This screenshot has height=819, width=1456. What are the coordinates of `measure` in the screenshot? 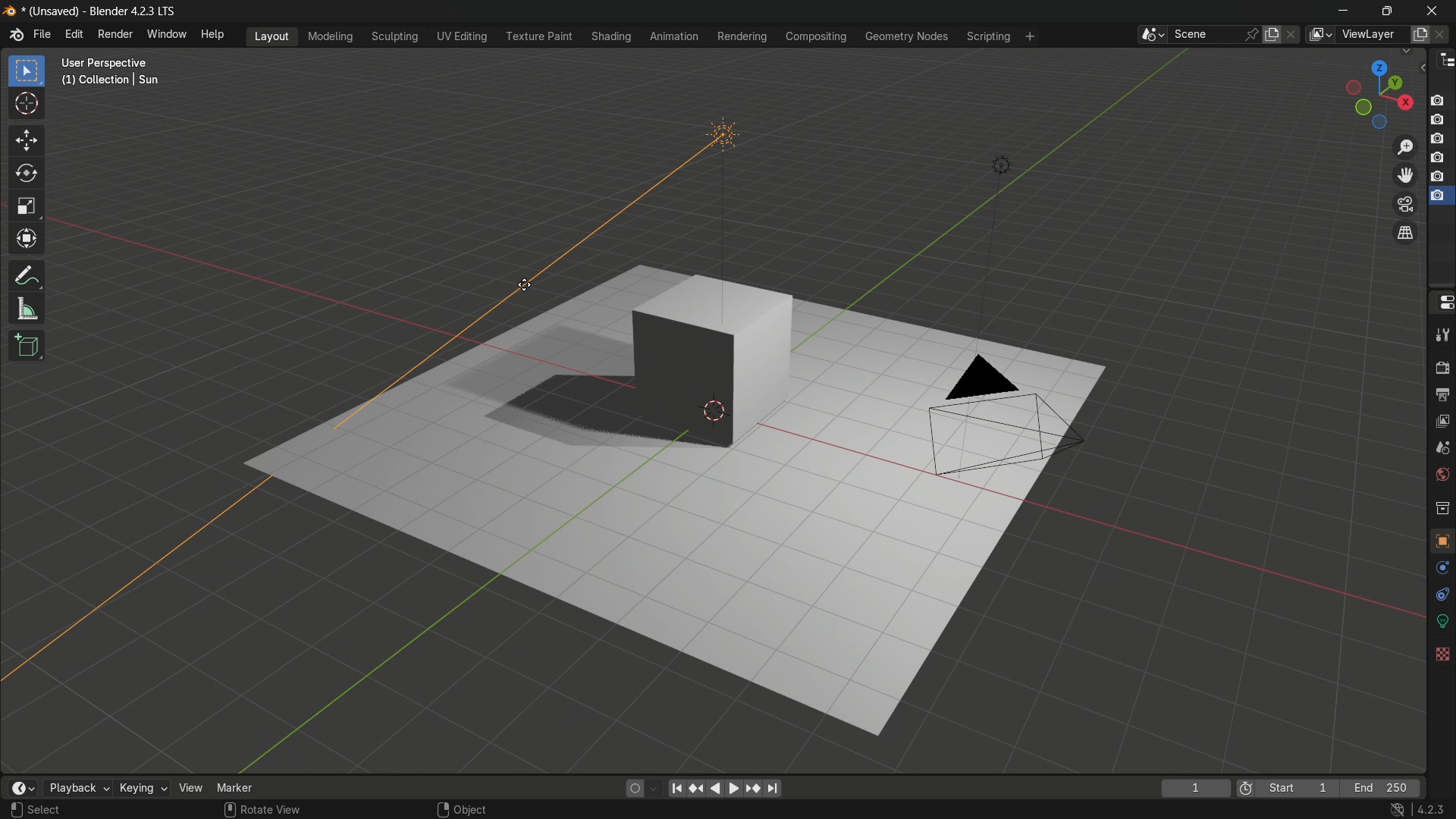 It's located at (29, 310).